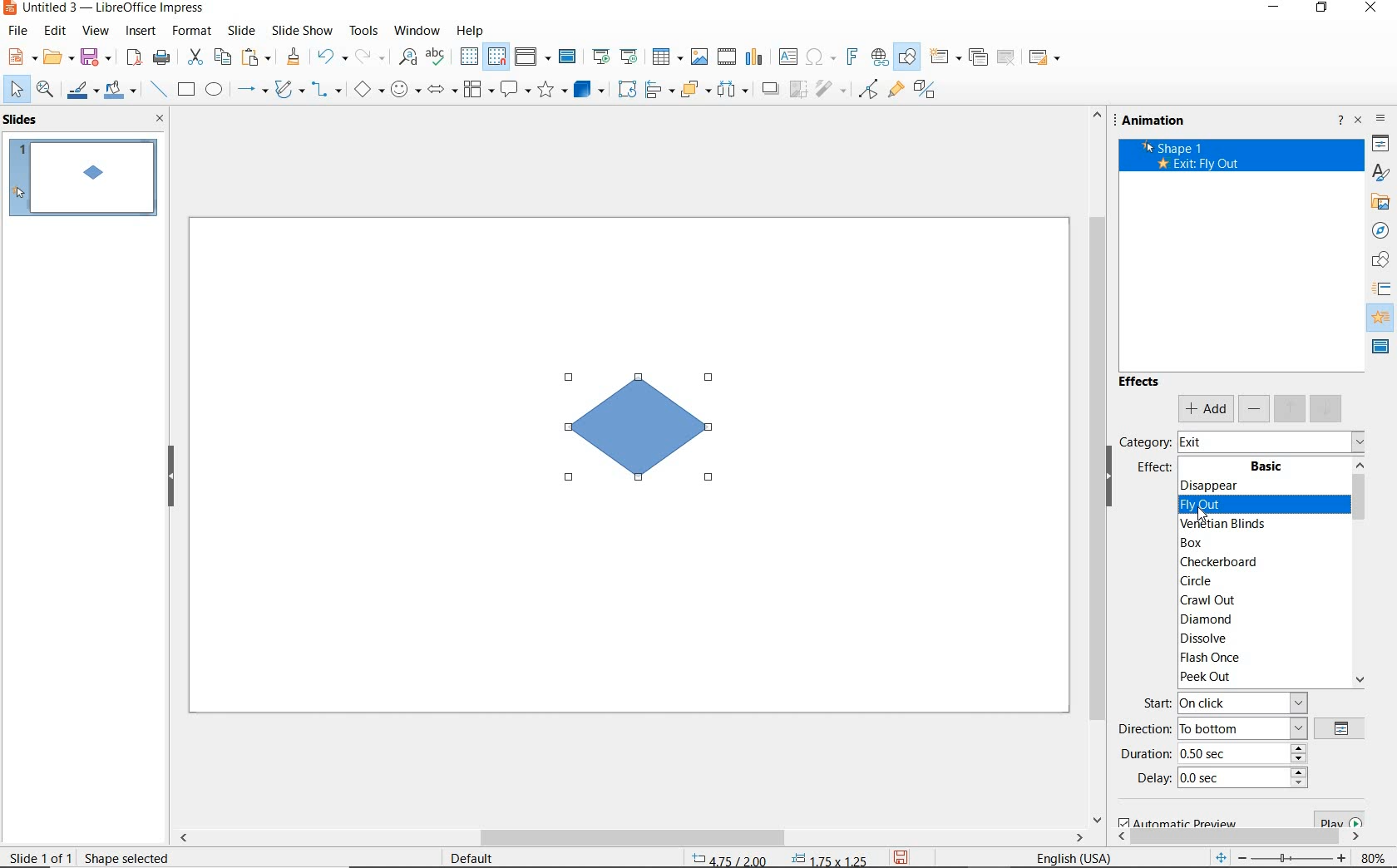  I want to click on objects to distribute, so click(733, 91).